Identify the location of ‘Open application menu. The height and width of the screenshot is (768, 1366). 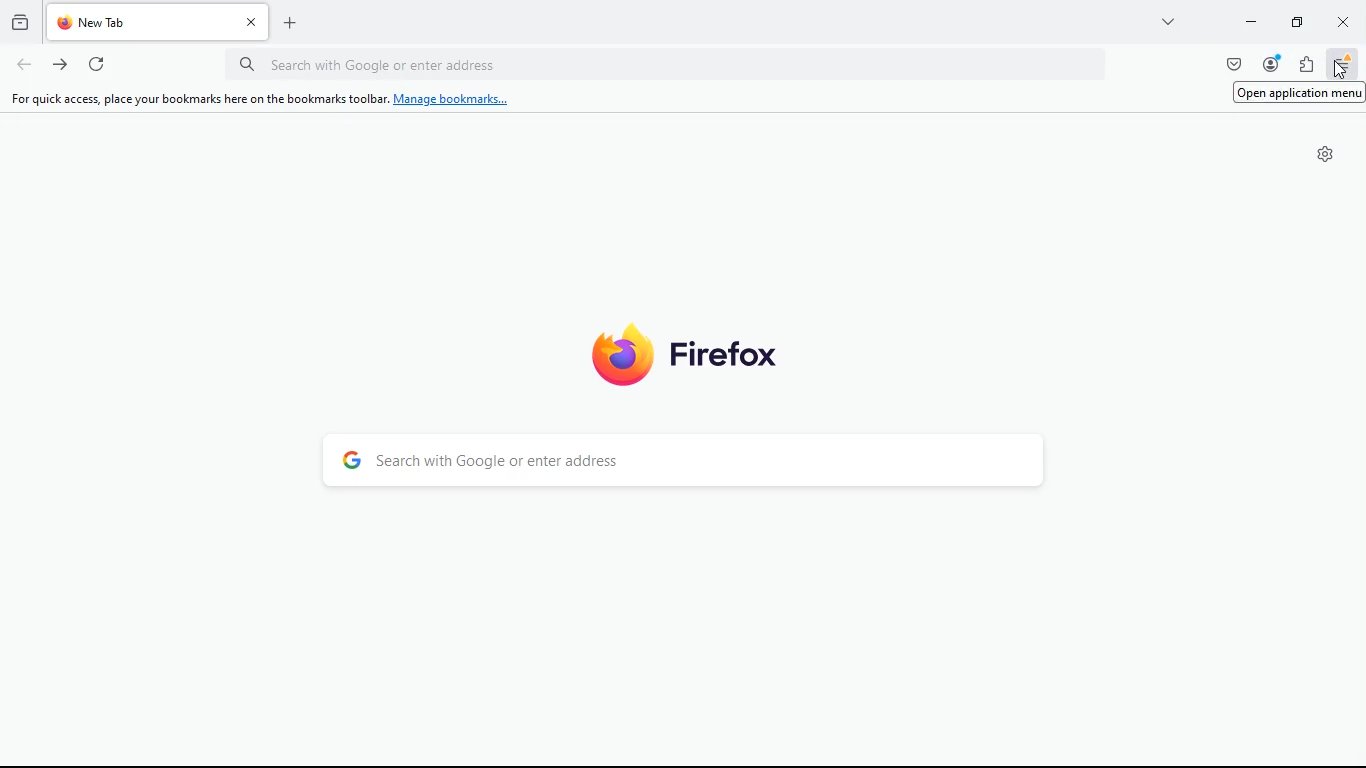
(1300, 93).